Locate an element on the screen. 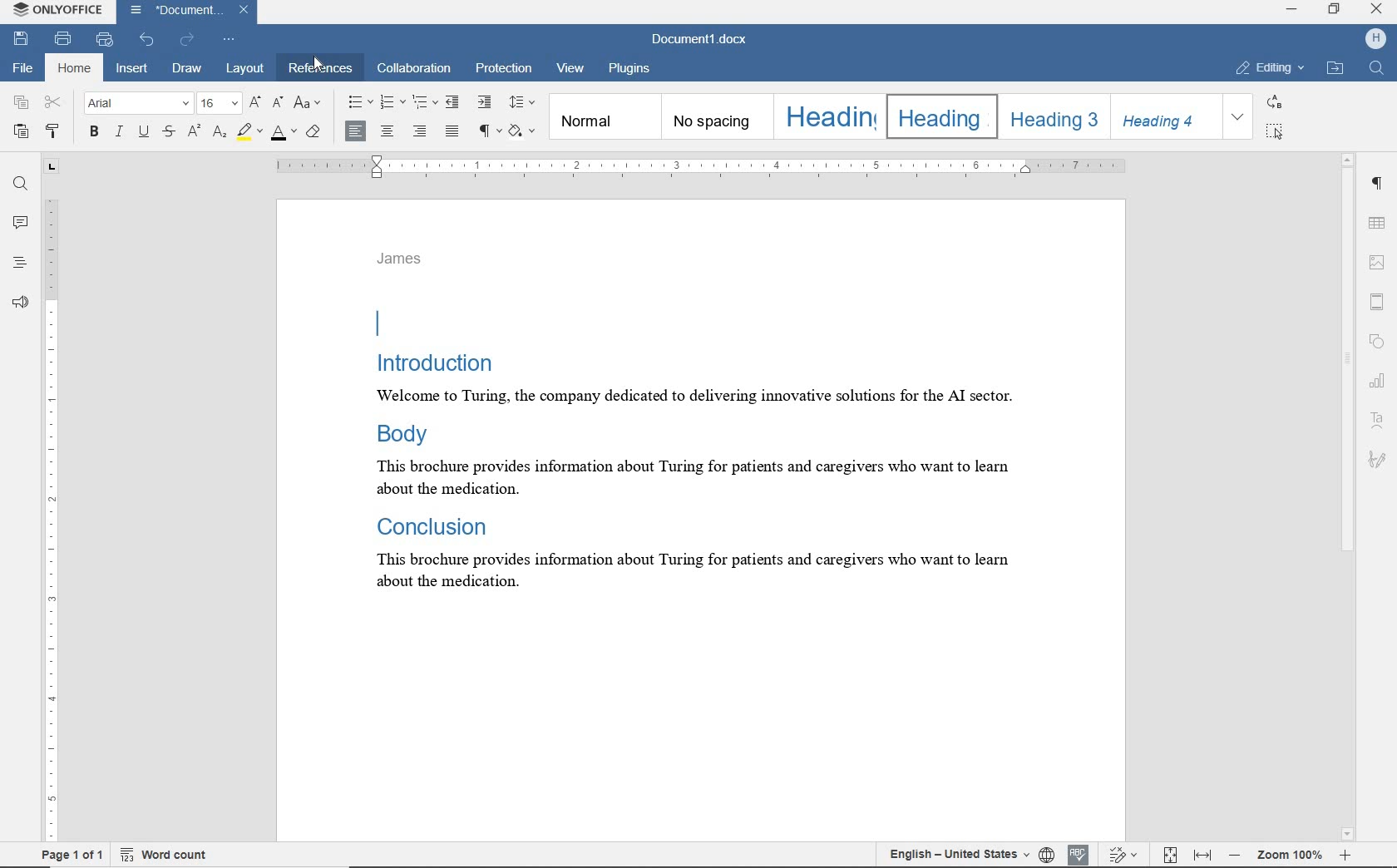 This screenshot has height=868, width=1397. file is located at coordinates (22, 67).